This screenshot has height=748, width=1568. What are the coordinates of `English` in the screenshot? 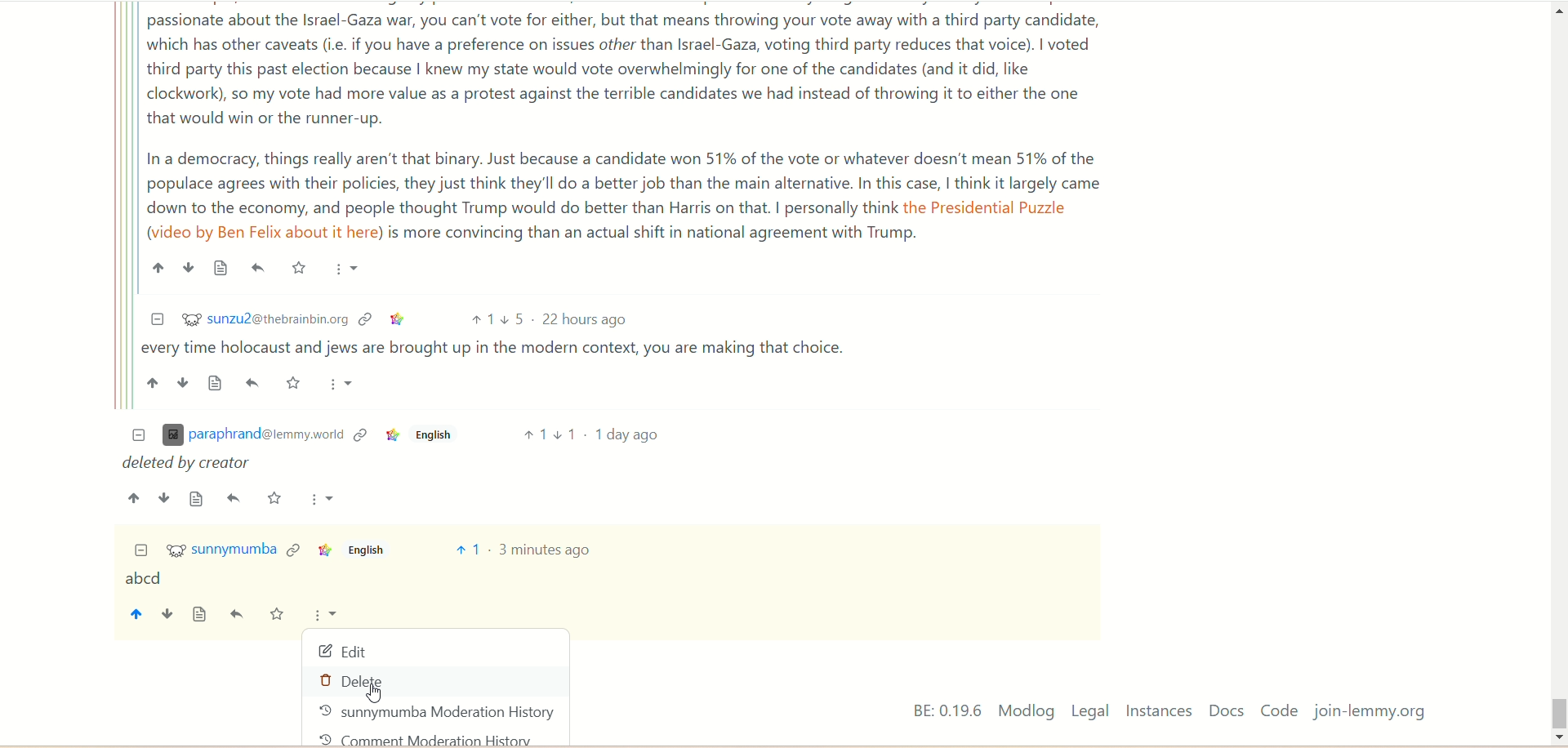 It's located at (365, 550).